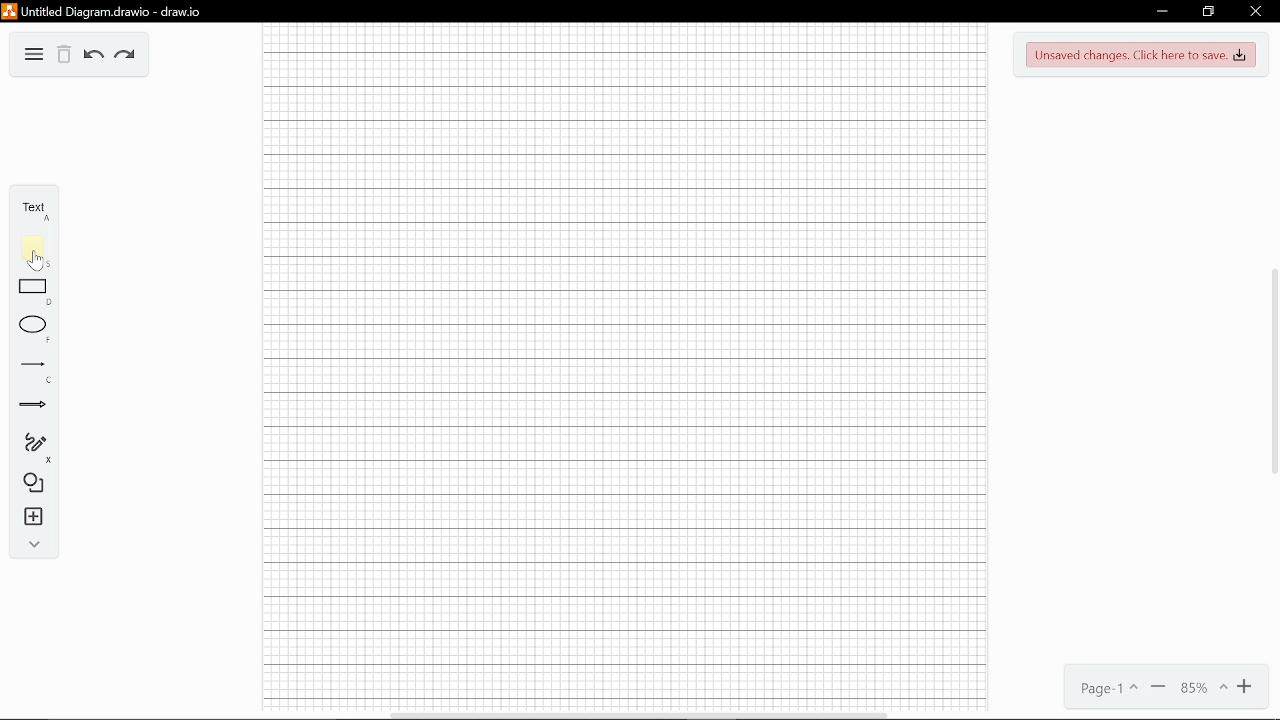 The height and width of the screenshot is (720, 1280). What do you see at coordinates (34, 443) in the screenshot?
I see `Freehand` at bounding box center [34, 443].